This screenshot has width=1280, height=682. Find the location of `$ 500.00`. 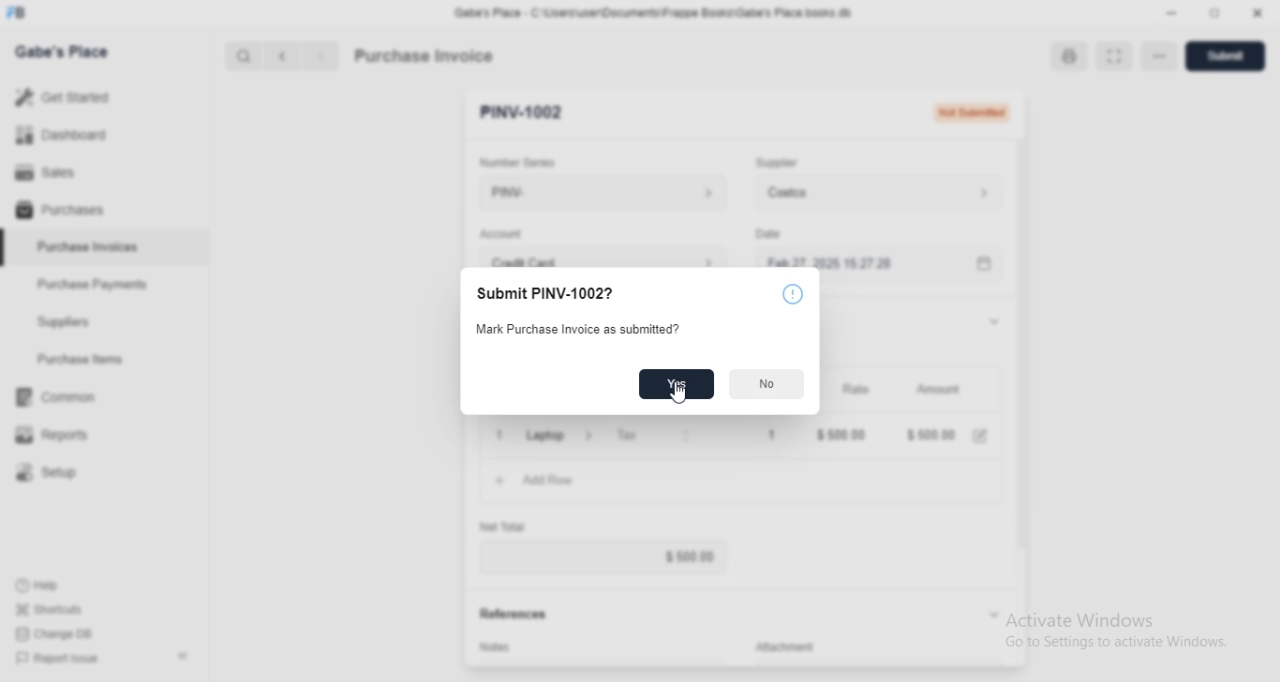

$ 500.00 is located at coordinates (841, 435).